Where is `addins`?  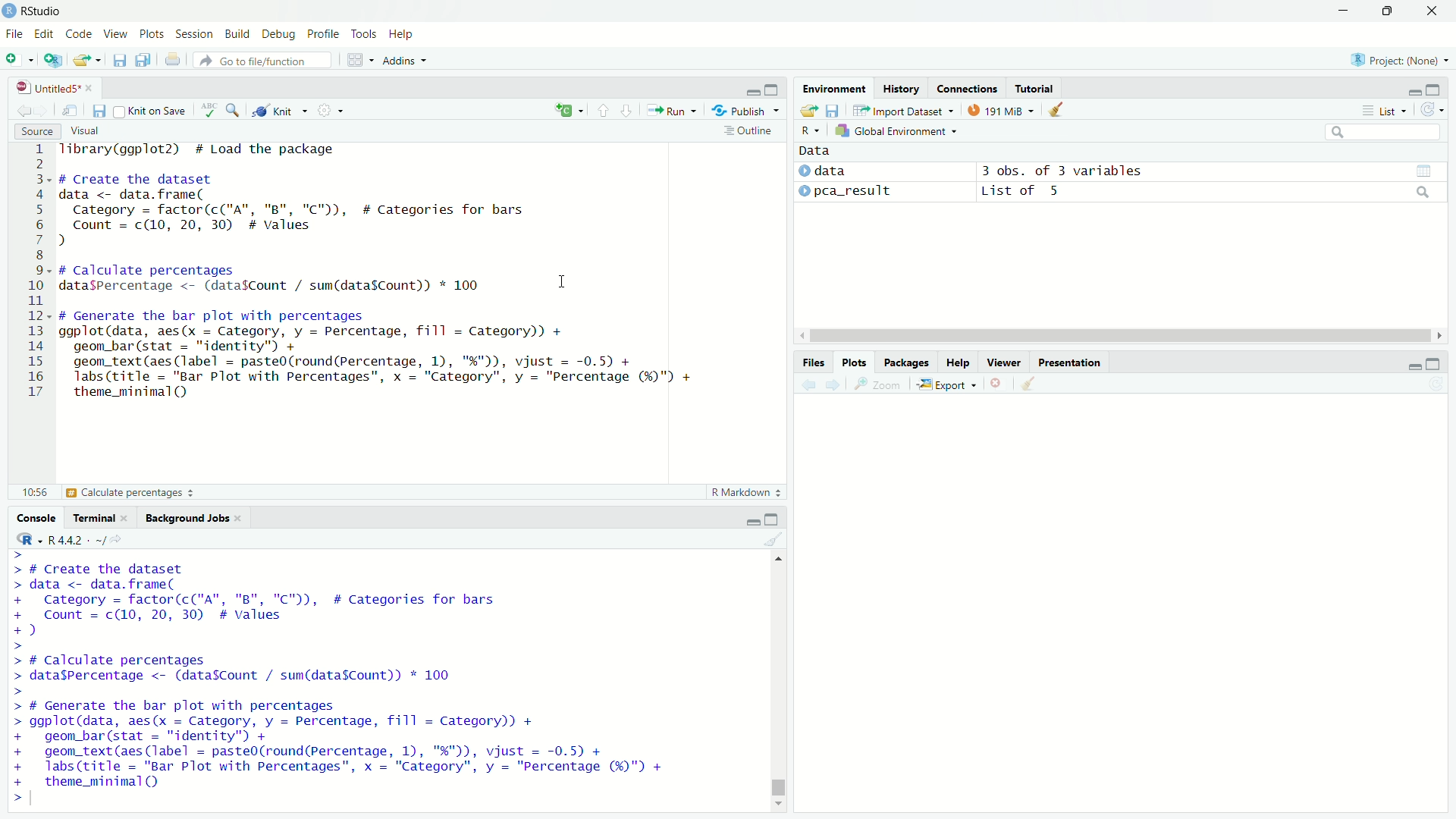
addins is located at coordinates (403, 60).